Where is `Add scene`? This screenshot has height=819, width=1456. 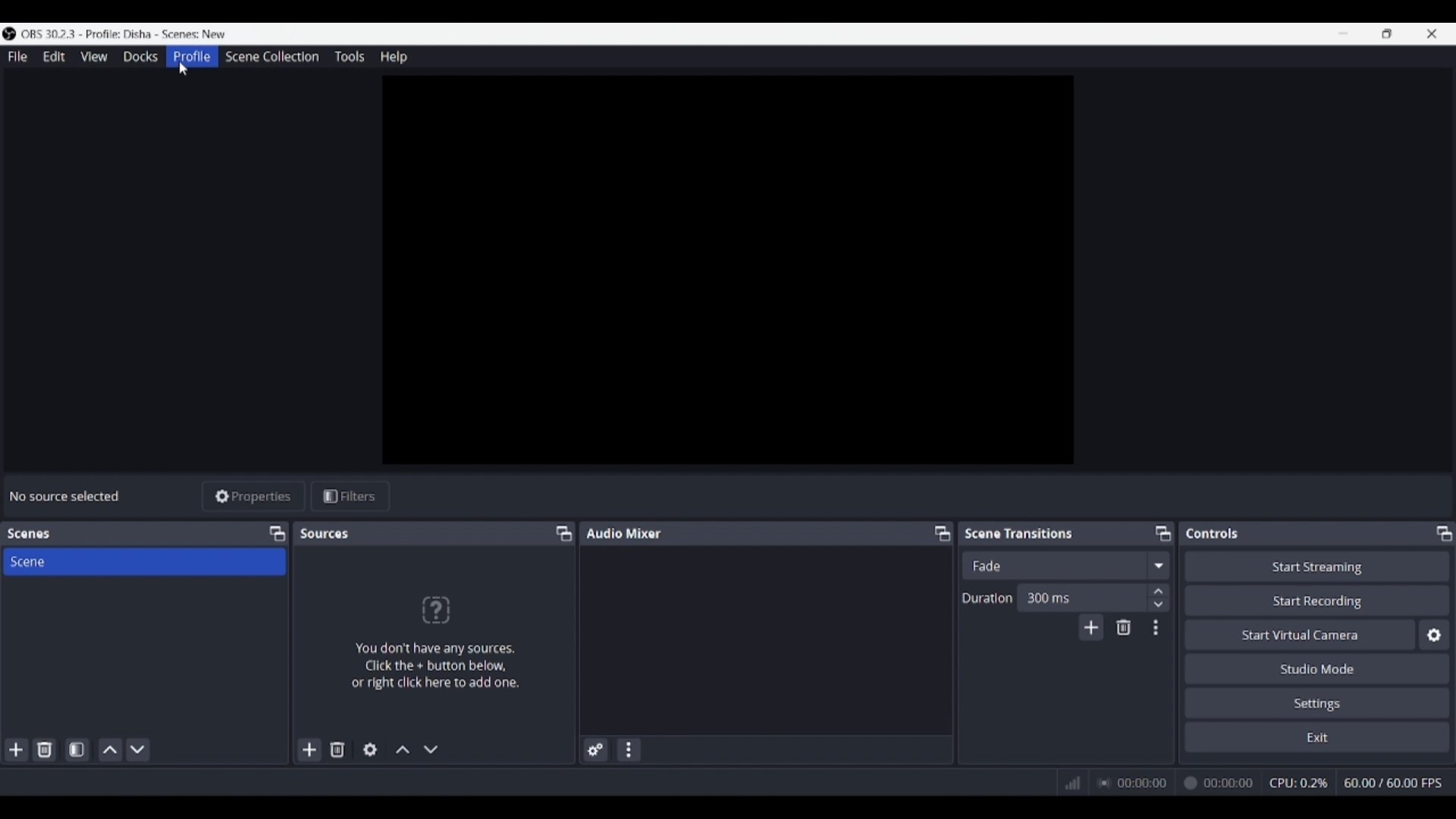
Add scene is located at coordinates (17, 750).